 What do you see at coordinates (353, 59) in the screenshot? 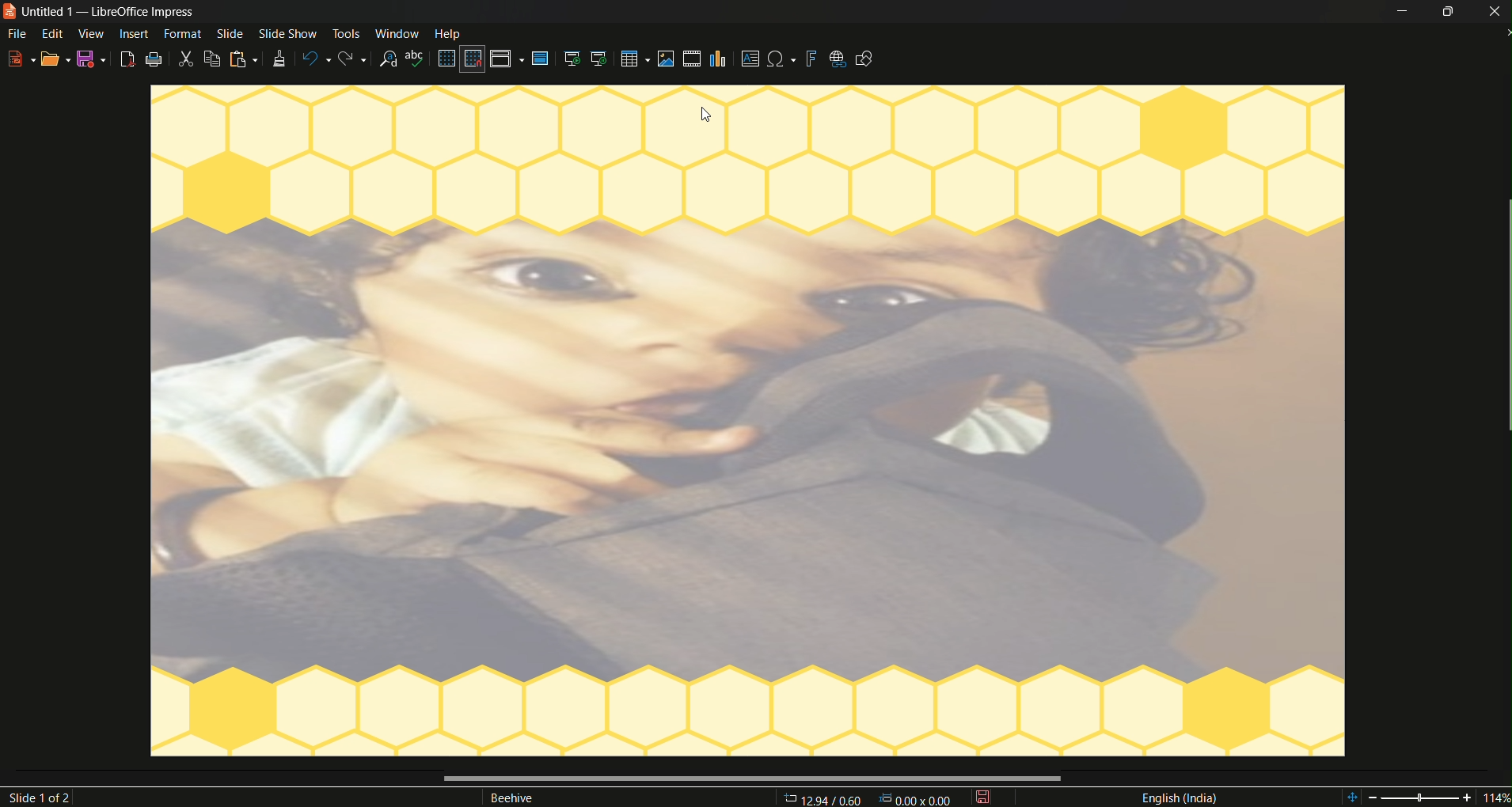
I see `redo` at bounding box center [353, 59].